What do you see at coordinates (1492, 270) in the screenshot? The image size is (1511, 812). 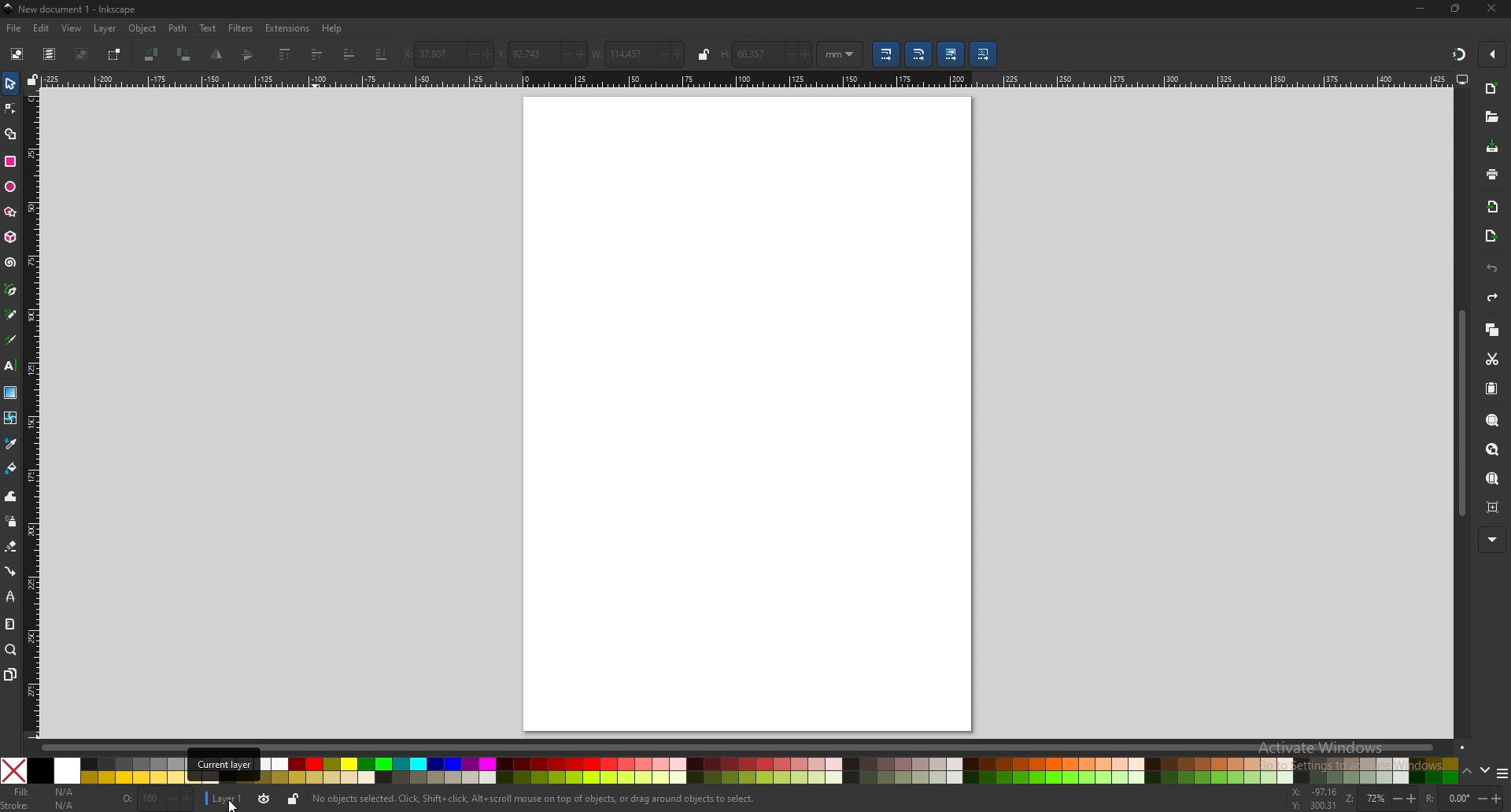 I see `undo` at bounding box center [1492, 270].